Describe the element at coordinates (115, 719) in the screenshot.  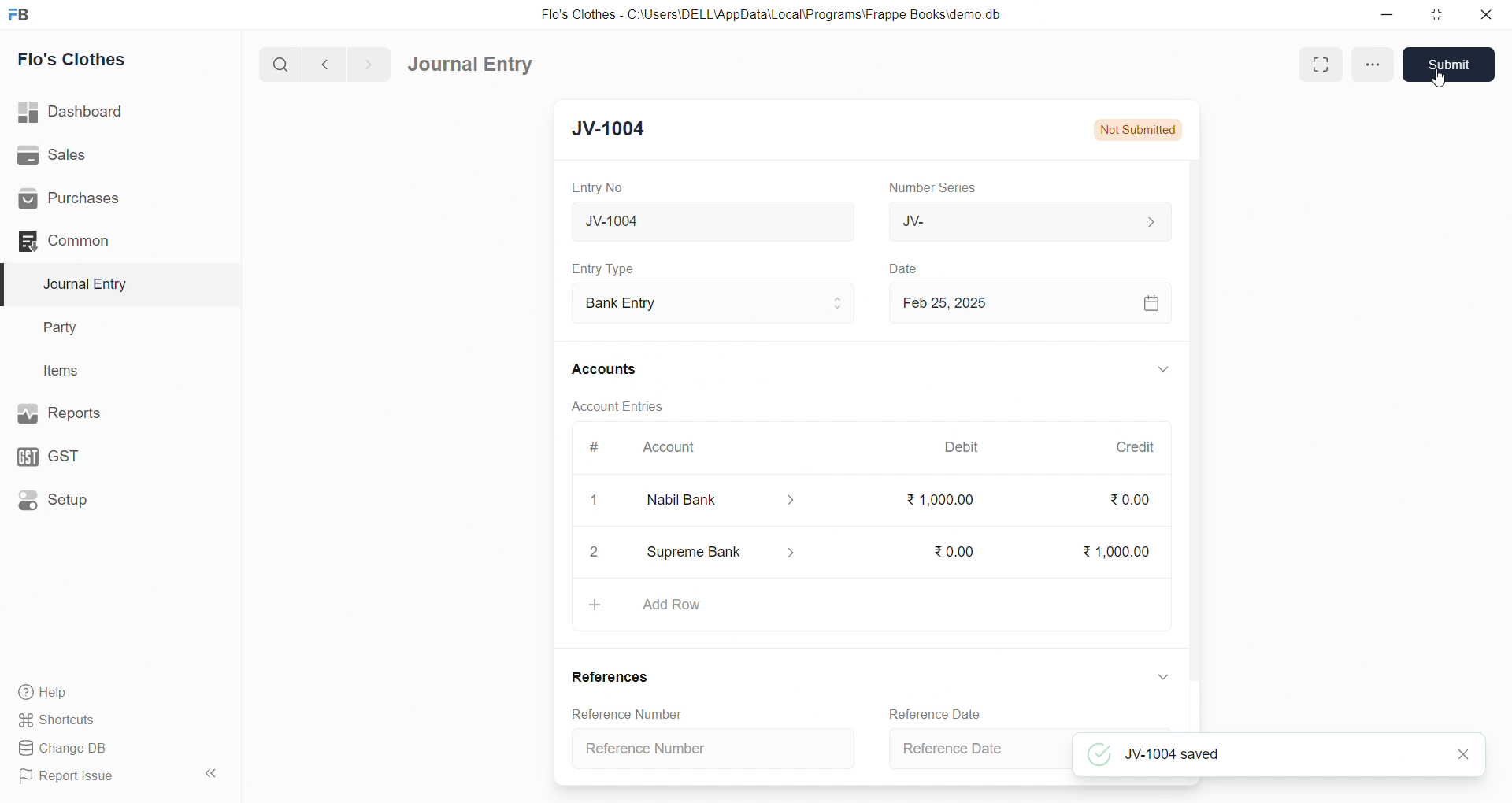
I see `Shortcuts` at that location.